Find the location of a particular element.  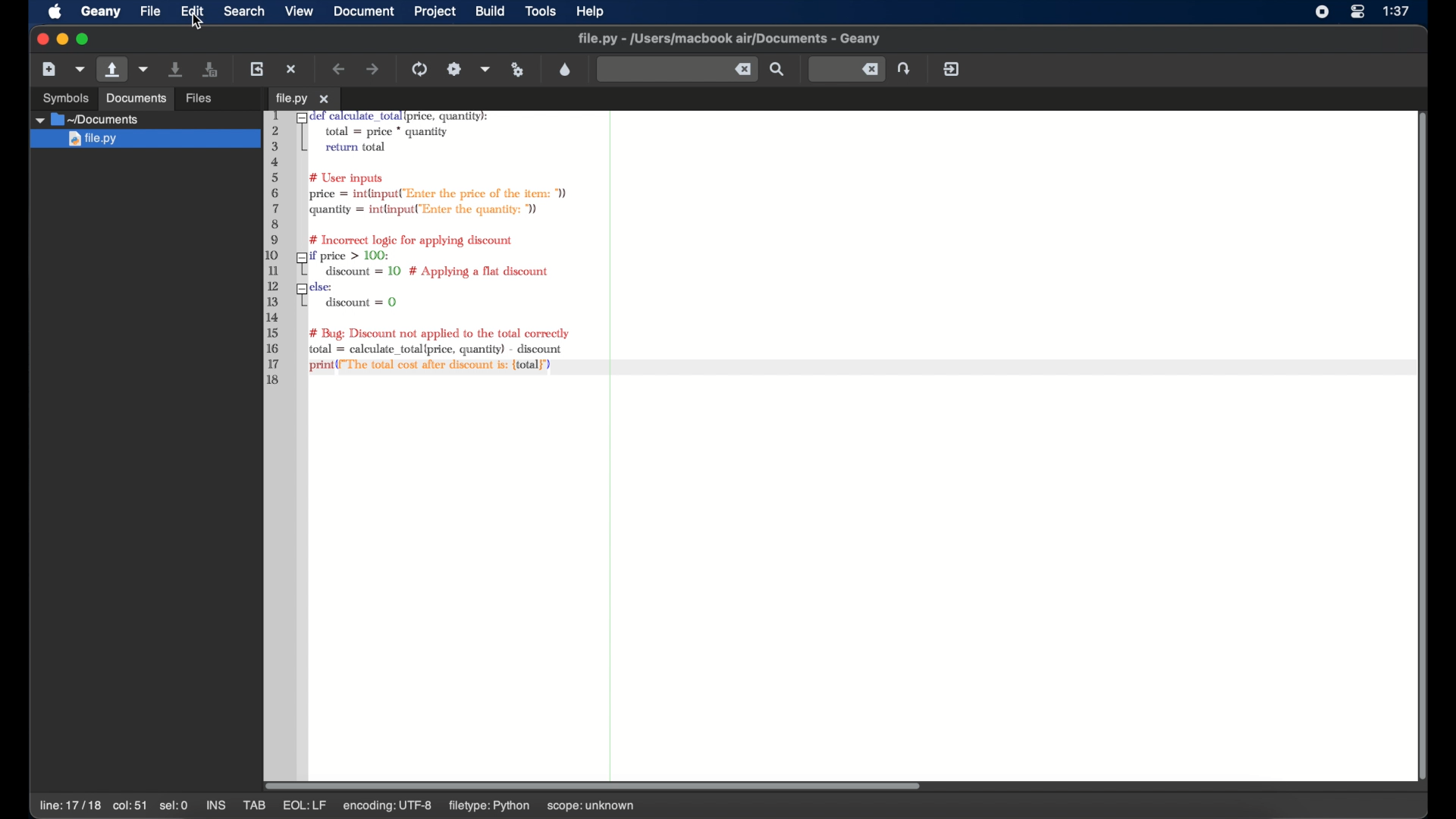

geany is located at coordinates (100, 11).